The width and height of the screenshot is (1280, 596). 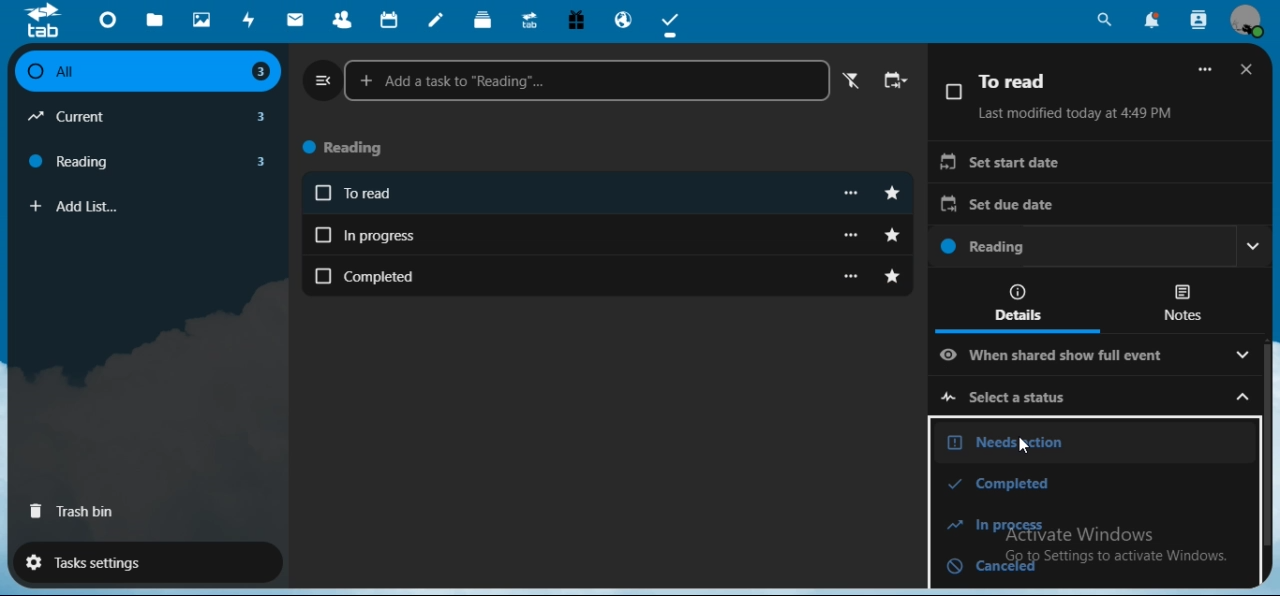 I want to click on completed, so click(x=586, y=275).